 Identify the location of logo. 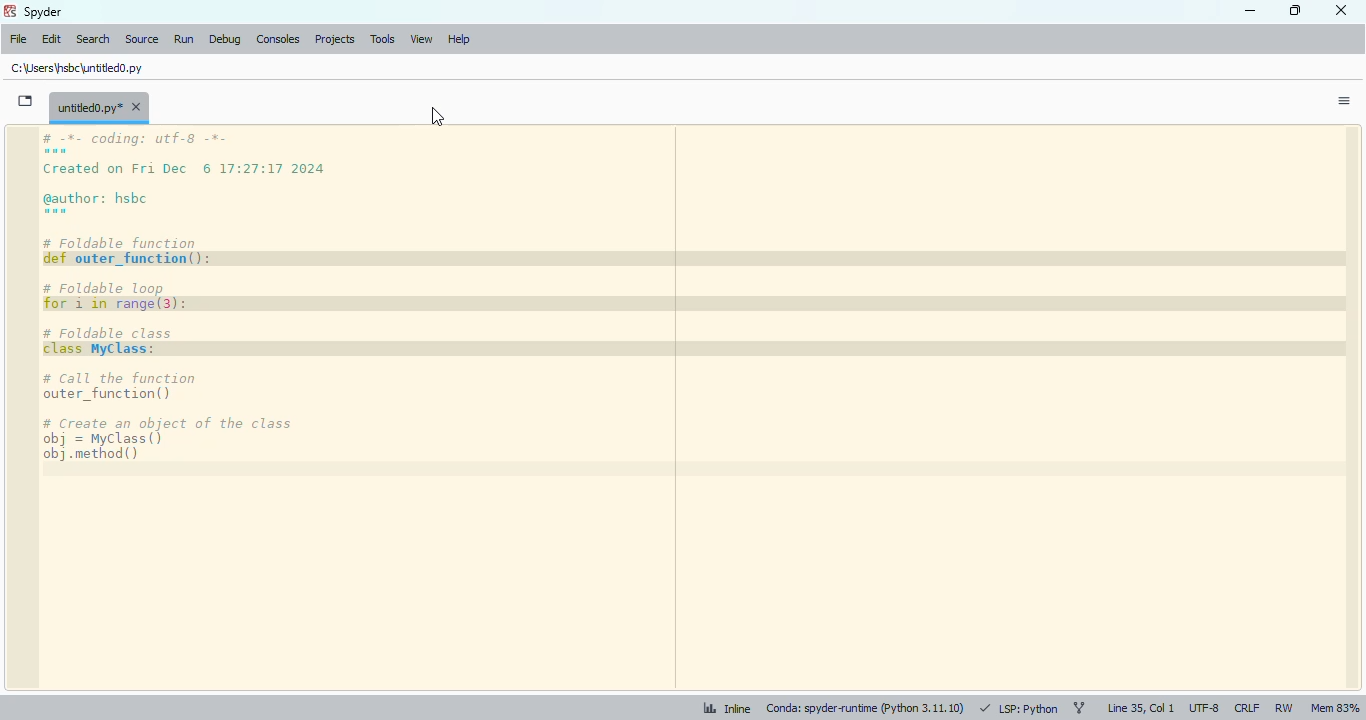
(10, 11).